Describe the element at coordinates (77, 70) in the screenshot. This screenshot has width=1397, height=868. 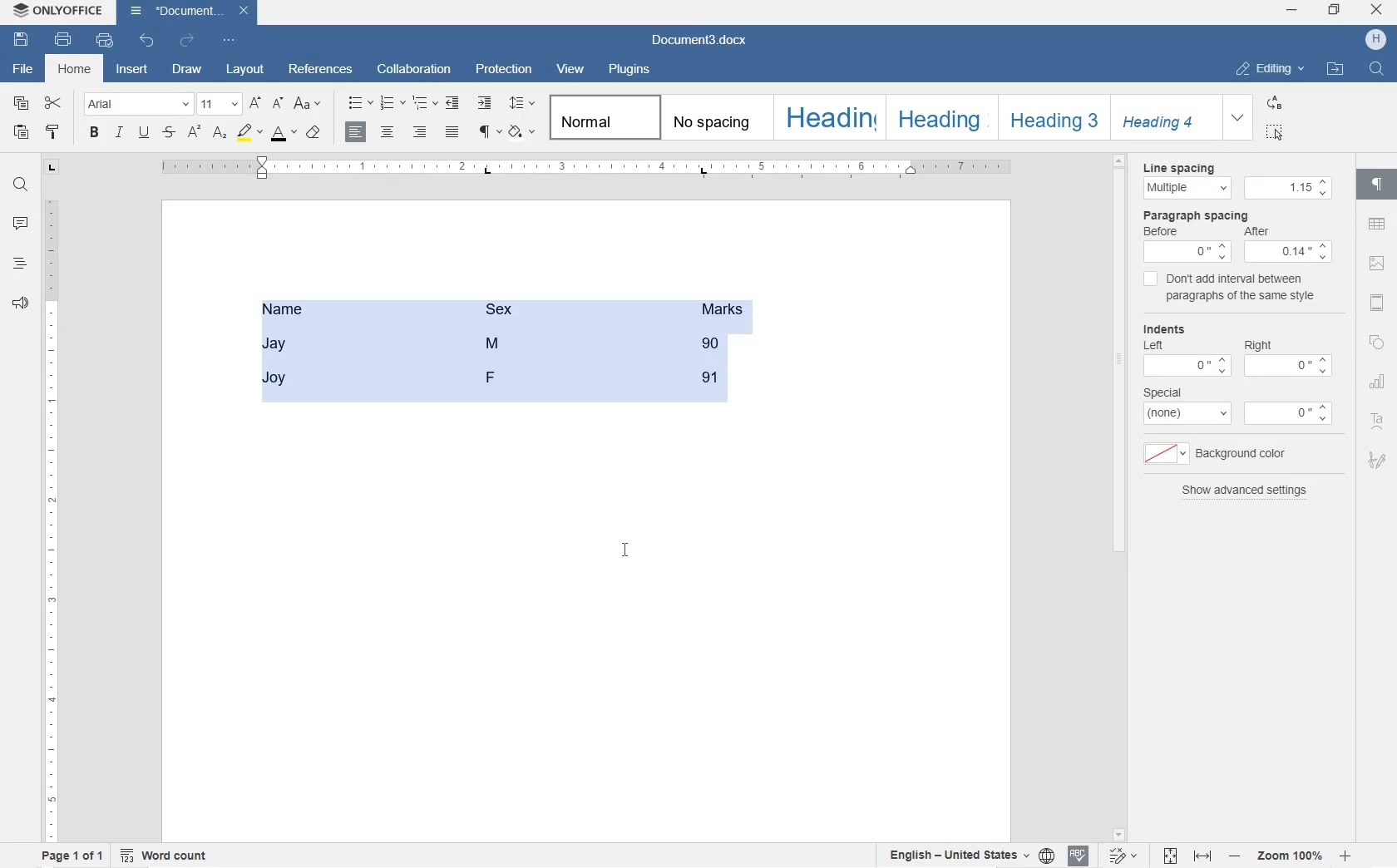
I see `HOME` at that location.